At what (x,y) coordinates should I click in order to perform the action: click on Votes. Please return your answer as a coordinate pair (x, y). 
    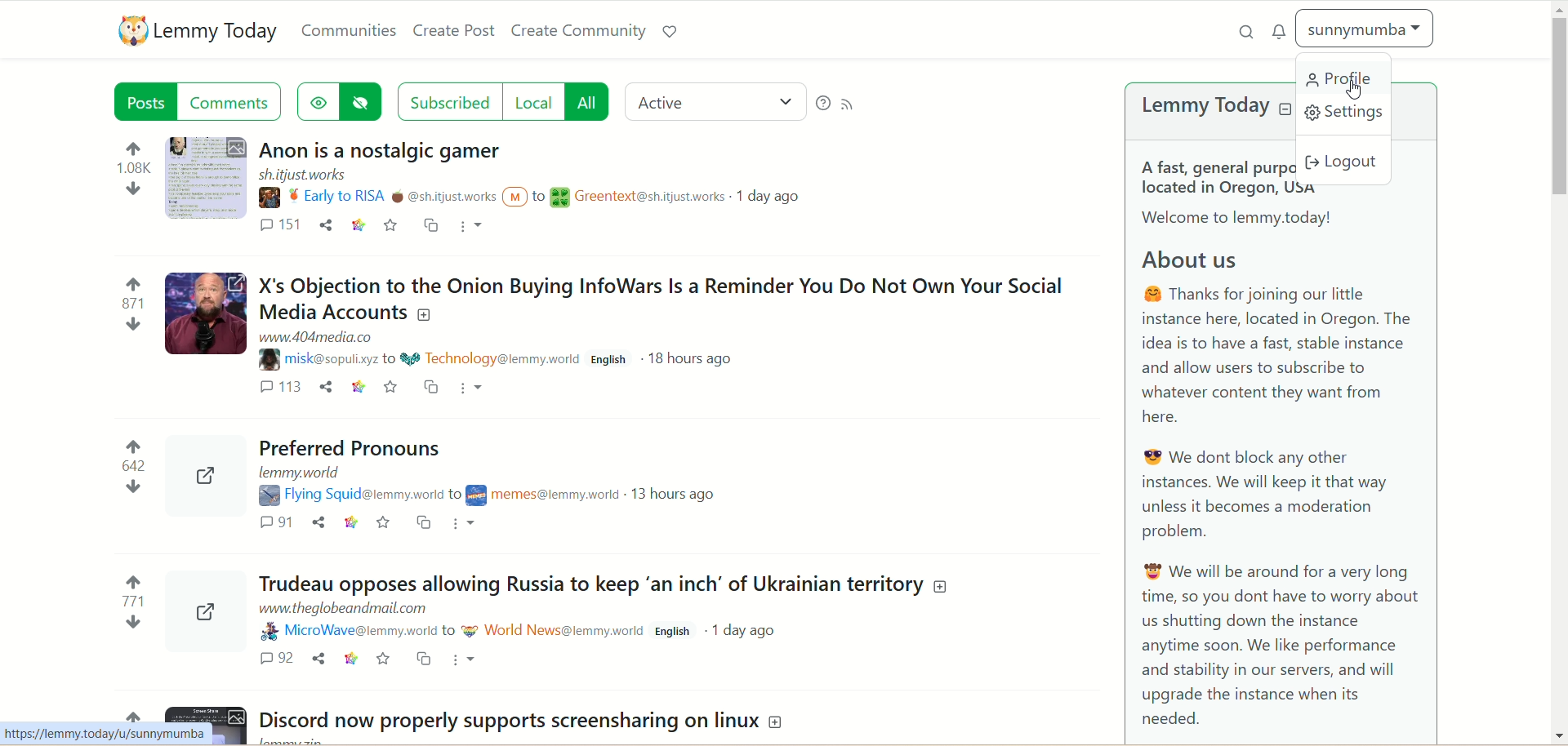
    Looking at the image, I should click on (130, 312).